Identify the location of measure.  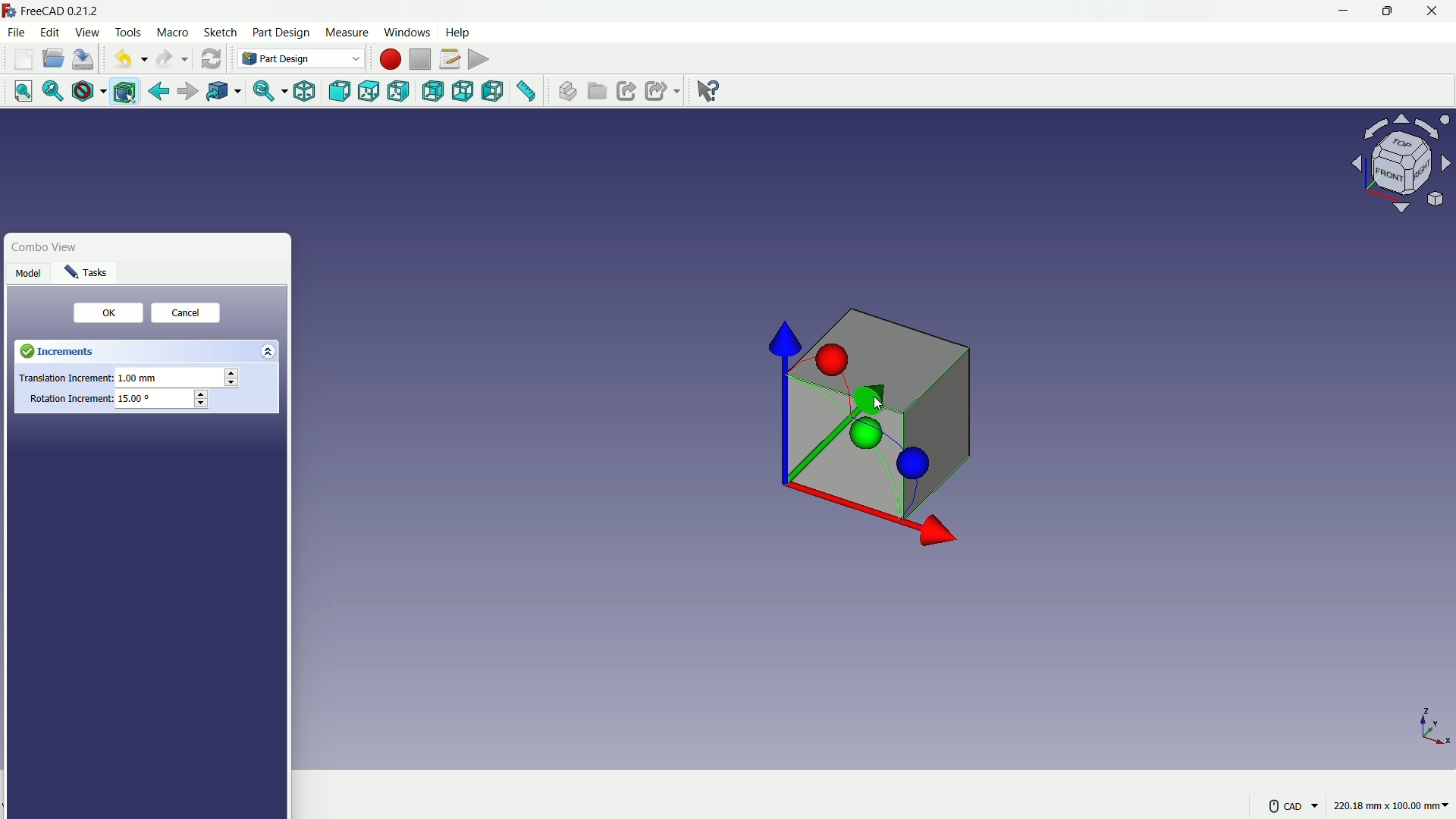
(527, 93).